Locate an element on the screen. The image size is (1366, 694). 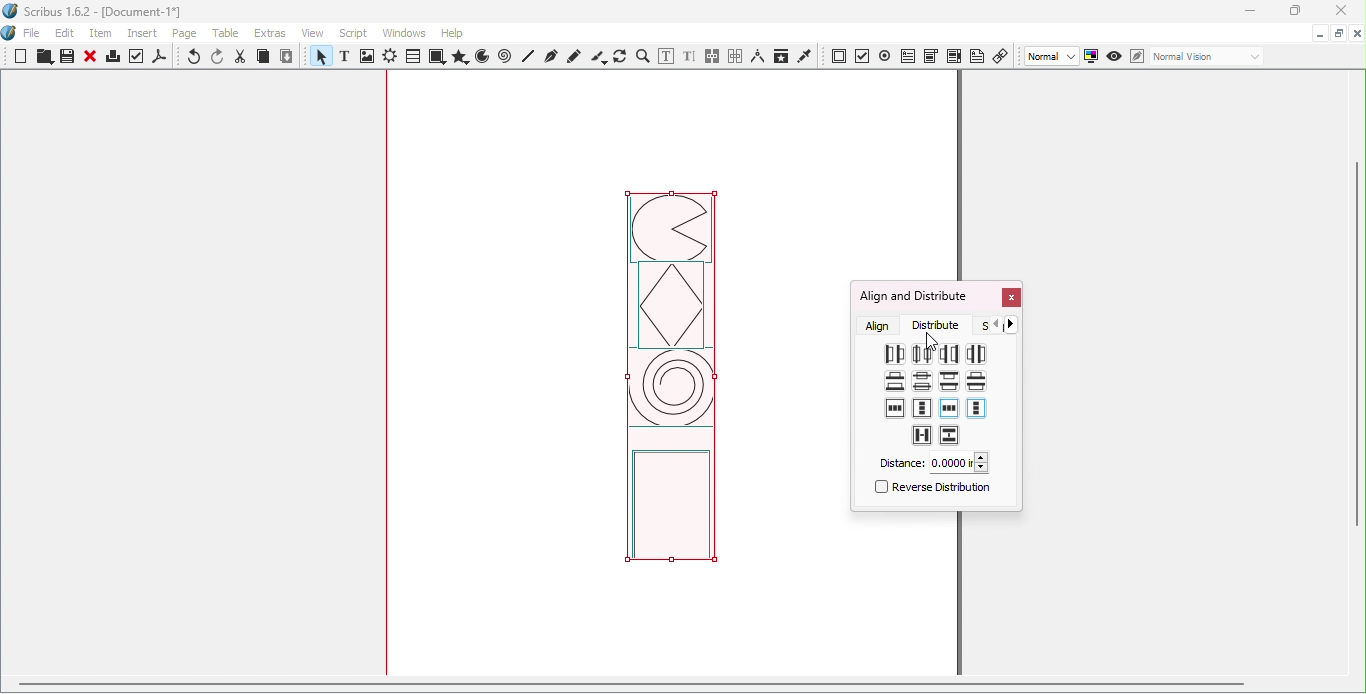
PDF combo box is located at coordinates (930, 56).